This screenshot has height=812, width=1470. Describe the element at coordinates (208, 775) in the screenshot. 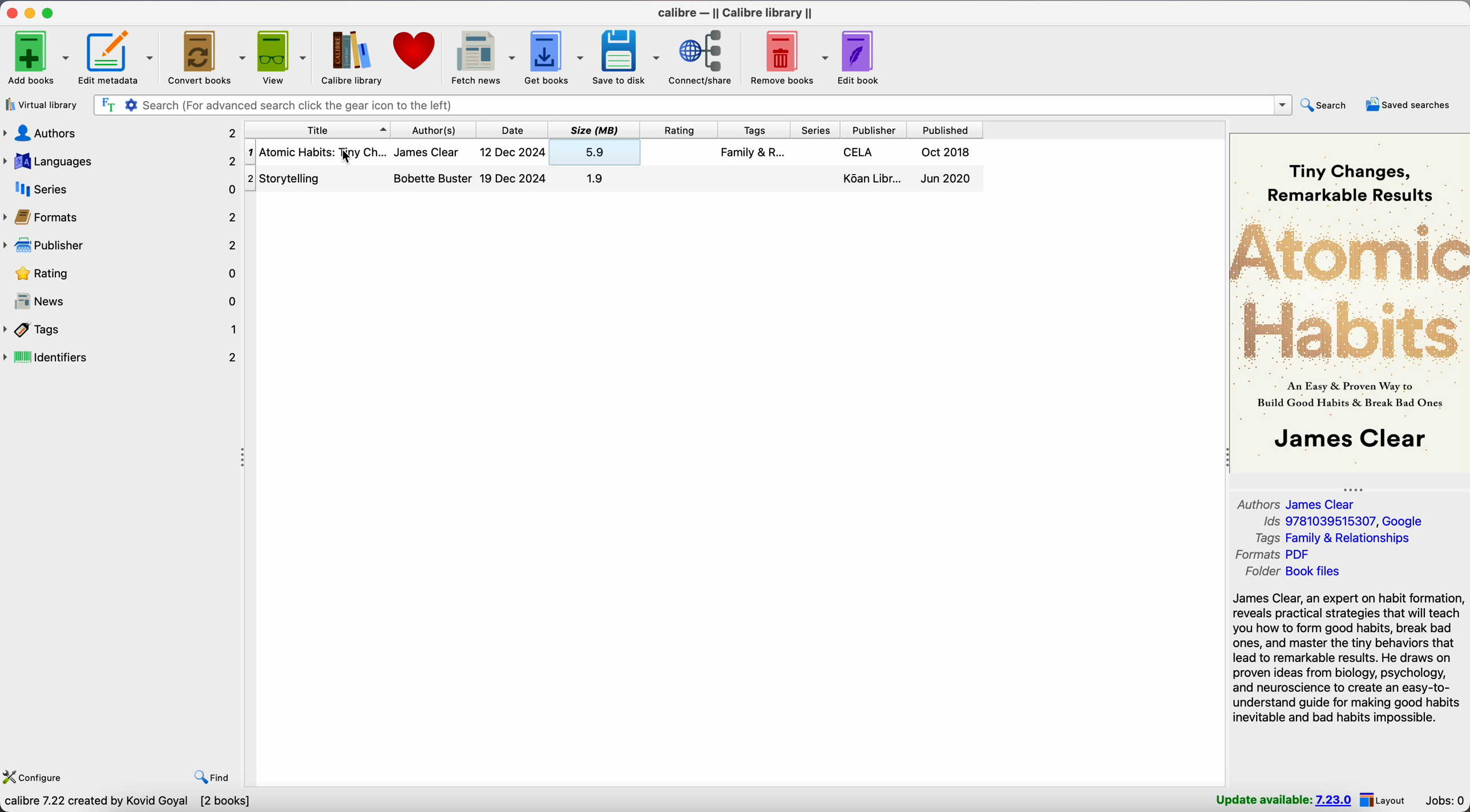

I see `find` at that location.